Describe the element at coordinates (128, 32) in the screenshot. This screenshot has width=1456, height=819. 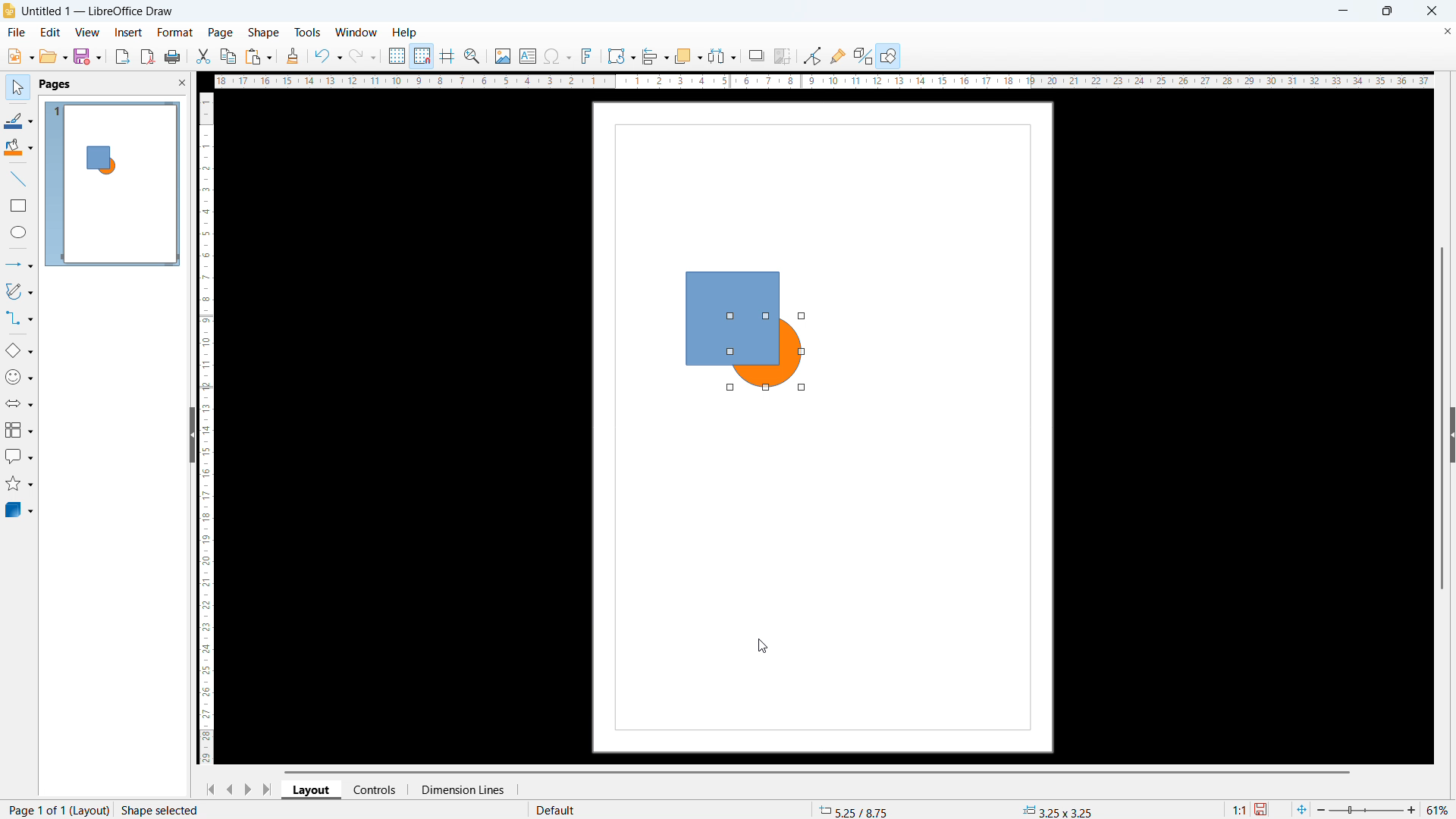
I see `Insert ` at that location.